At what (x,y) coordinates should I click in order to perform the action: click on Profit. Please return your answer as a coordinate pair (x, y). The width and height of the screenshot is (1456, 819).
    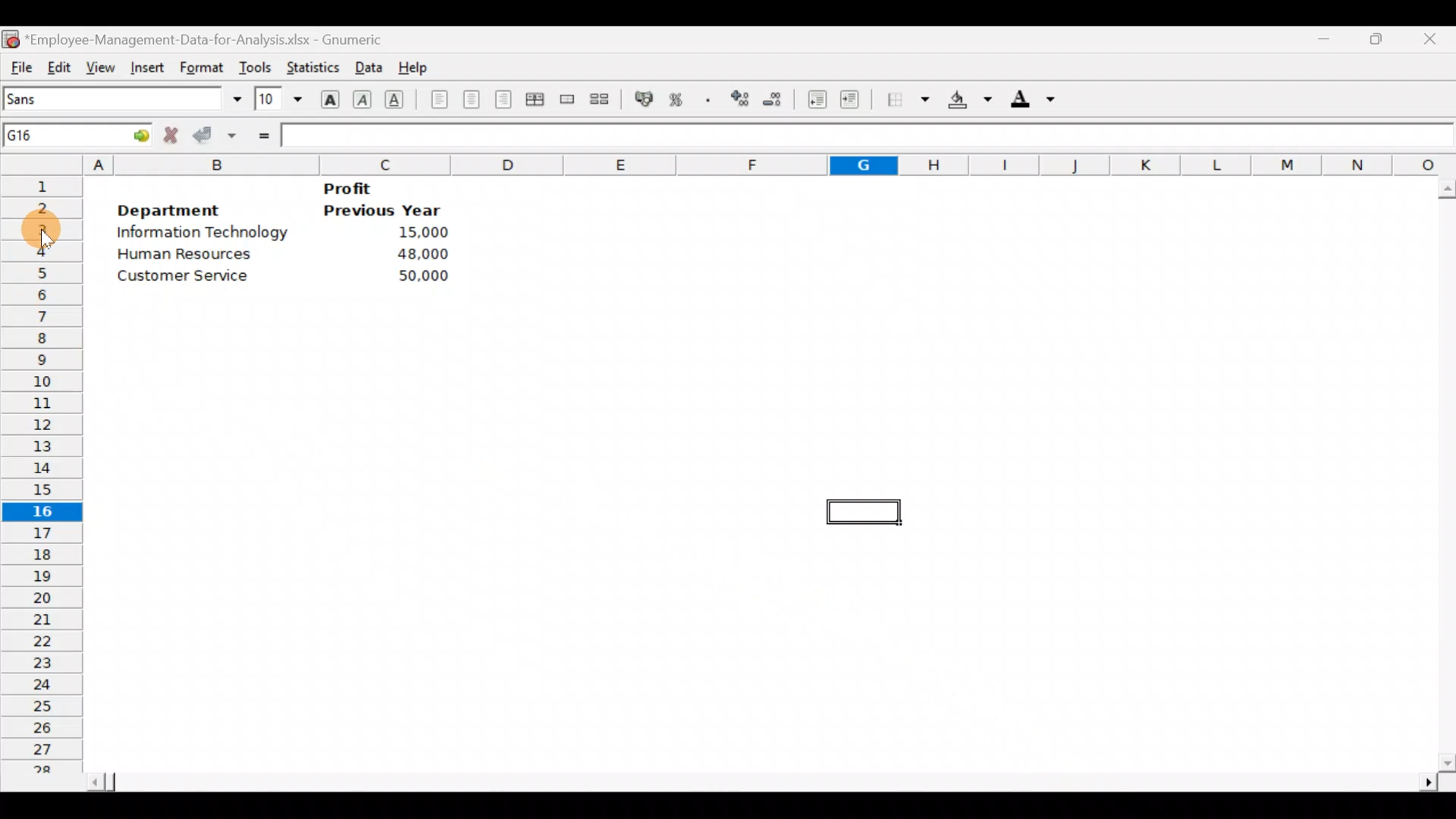
    Looking at the image, I should click on (376, 188).